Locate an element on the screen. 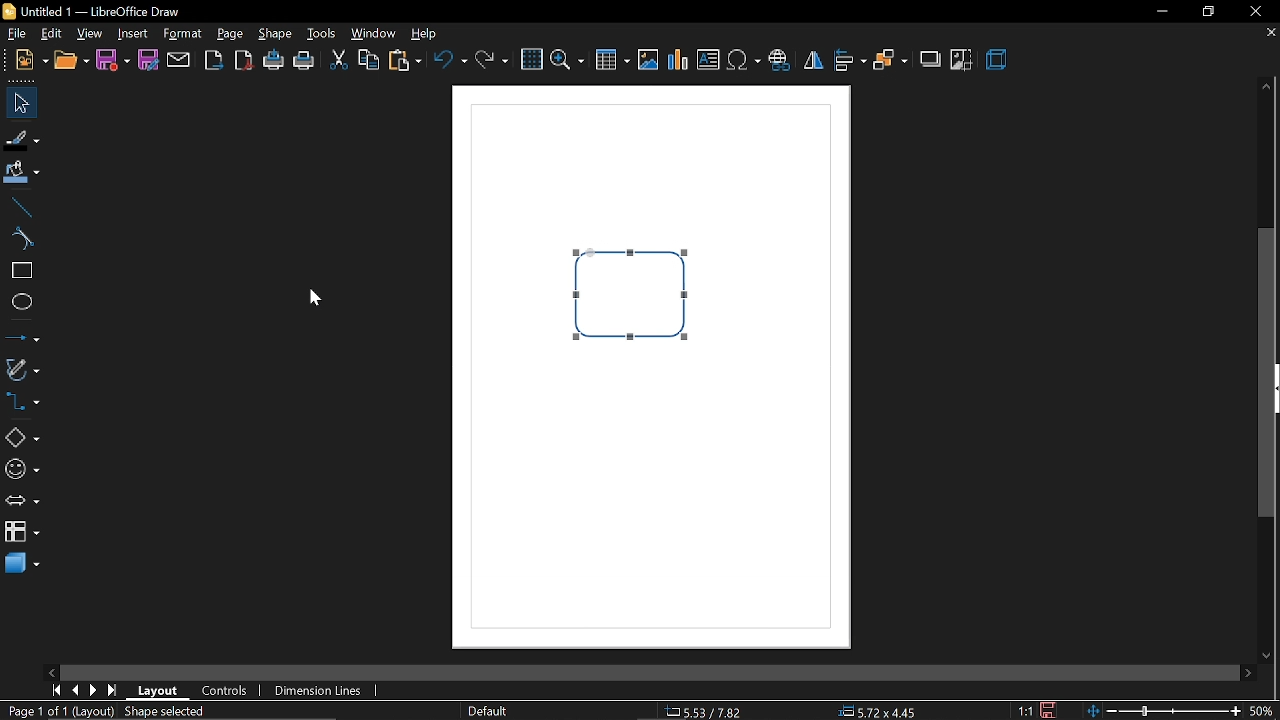  restore down is located at coordinates (1207, 12).